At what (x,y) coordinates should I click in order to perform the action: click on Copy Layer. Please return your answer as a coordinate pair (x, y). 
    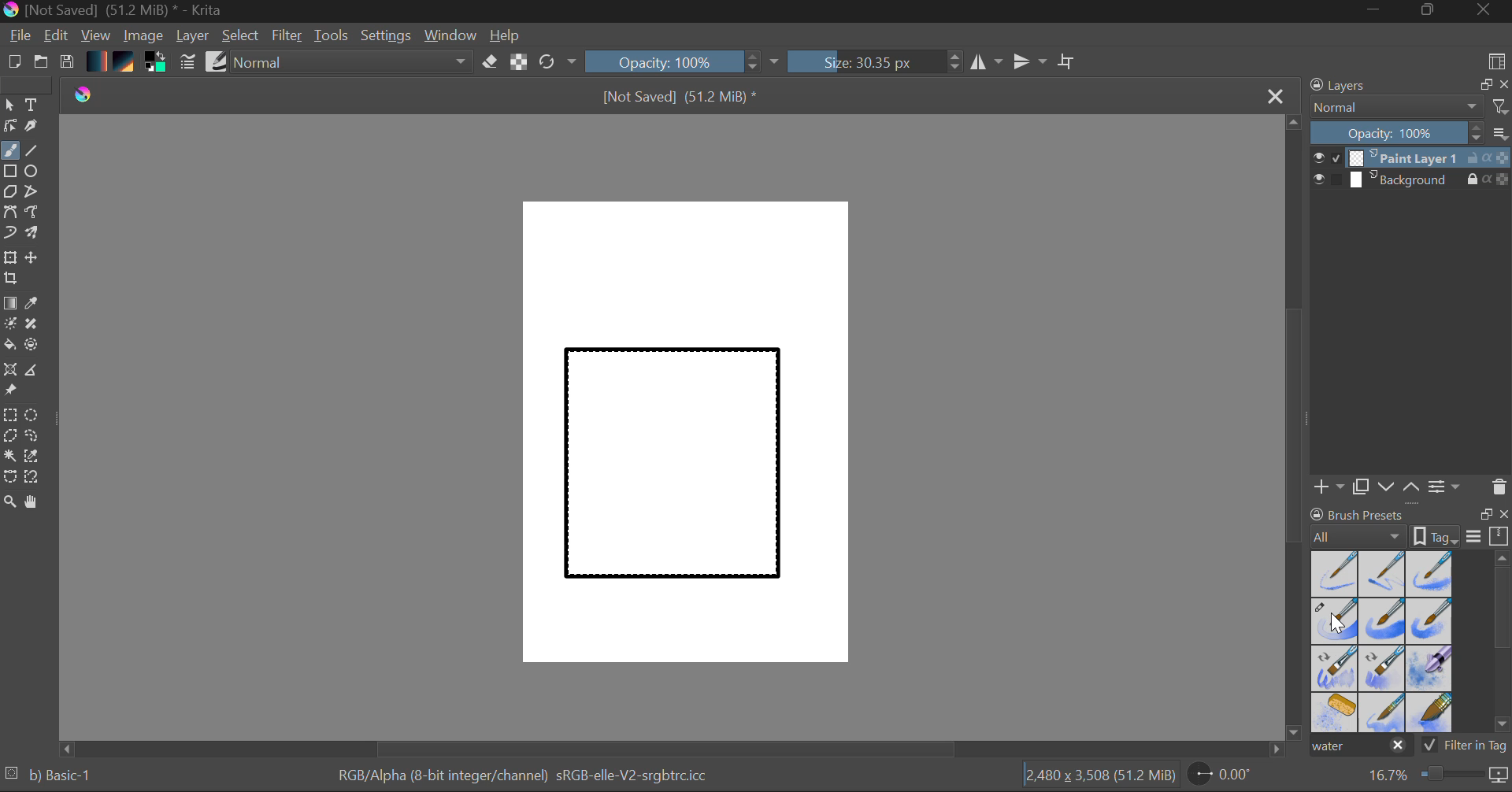
    Looking at the image, I should click on (1362, 487).